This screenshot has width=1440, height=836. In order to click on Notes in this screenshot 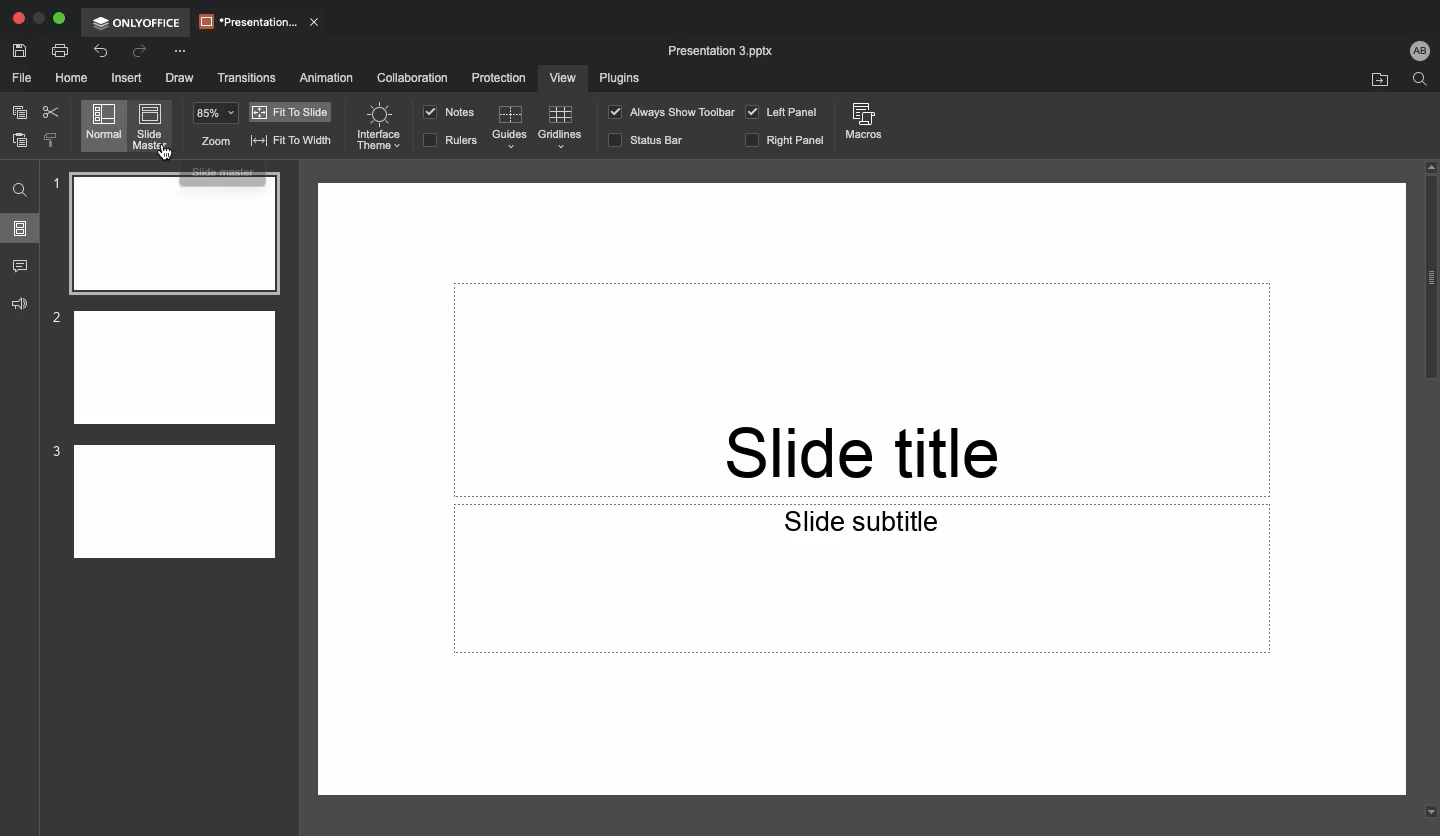, I will do `click(449, 112)`.